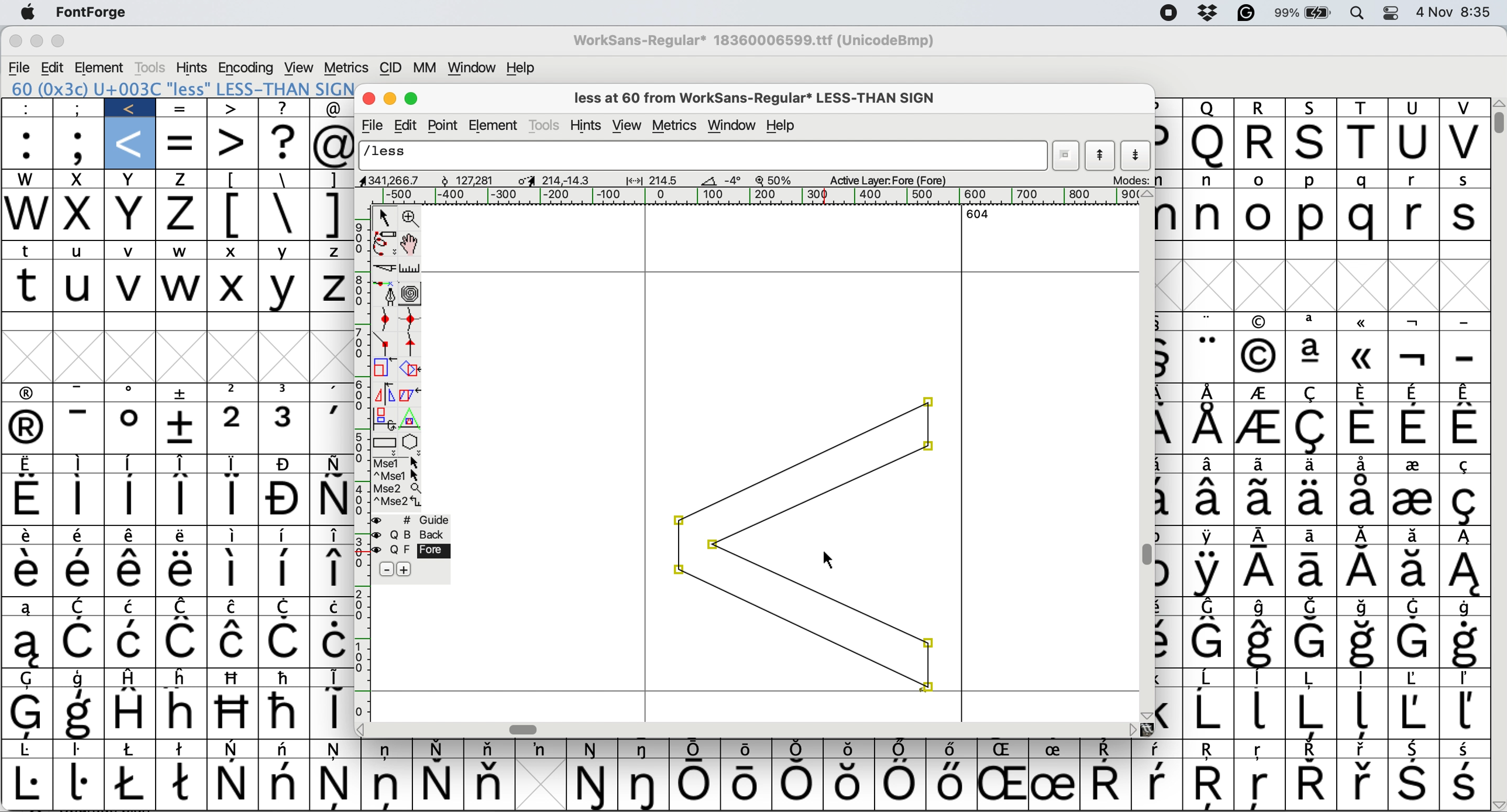 The image size is (1507, 812). What do you see at coordinates (236, 676) in the screenshot?
I see `Symbol` at bounding box center [236, 676].